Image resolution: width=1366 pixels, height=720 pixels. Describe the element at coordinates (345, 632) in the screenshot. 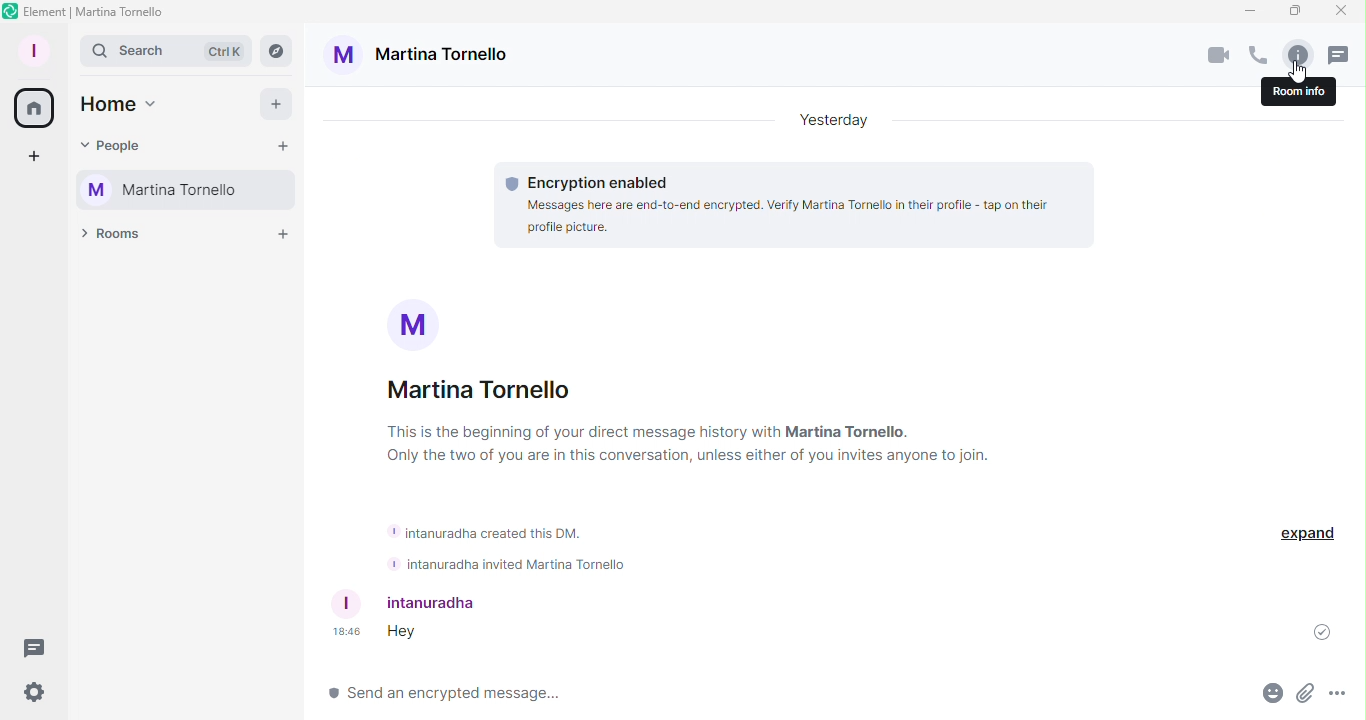

I see `18:46` at that location.